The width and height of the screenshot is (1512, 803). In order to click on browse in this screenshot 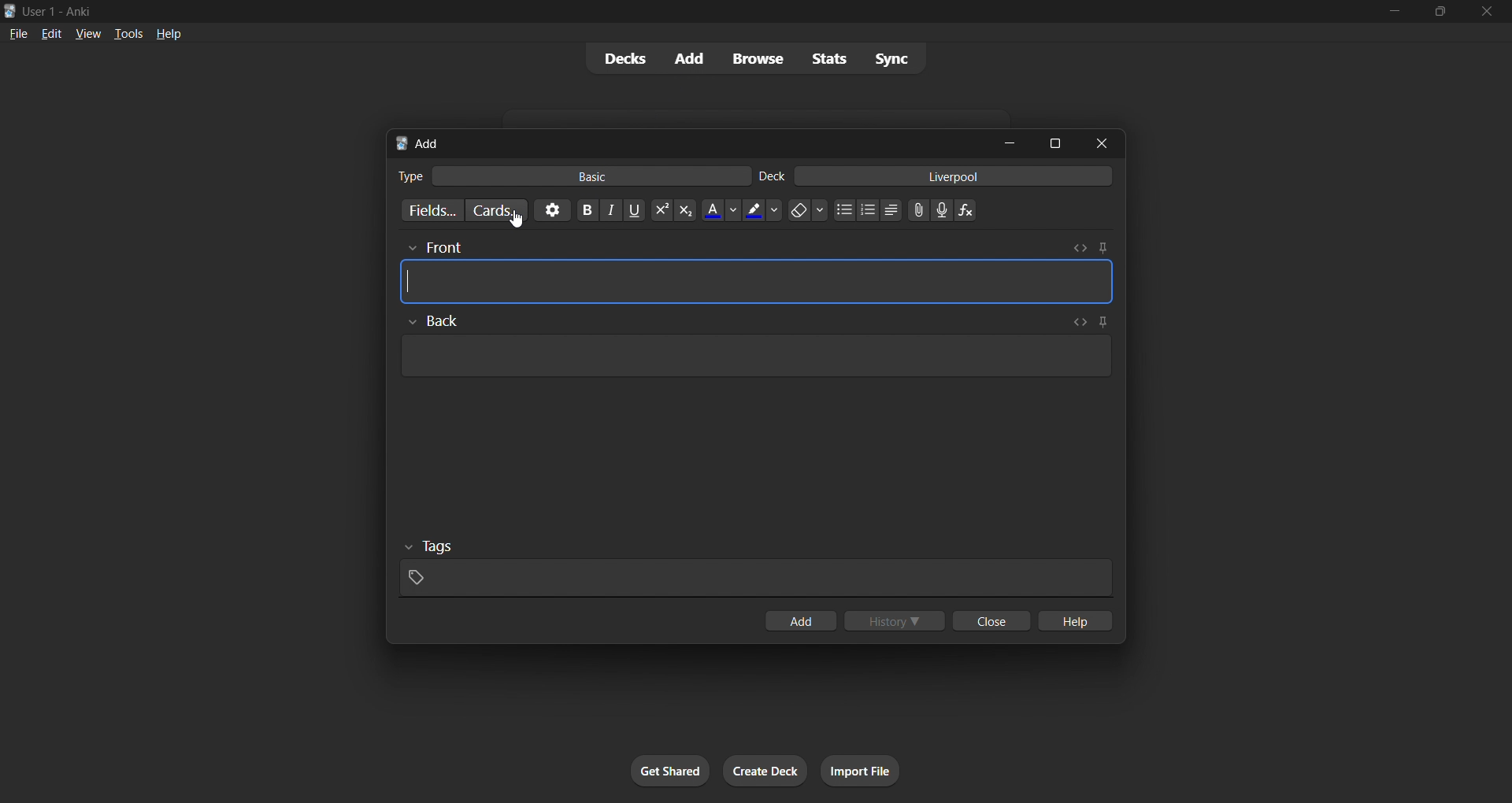, I will do `click(753, 58)`.